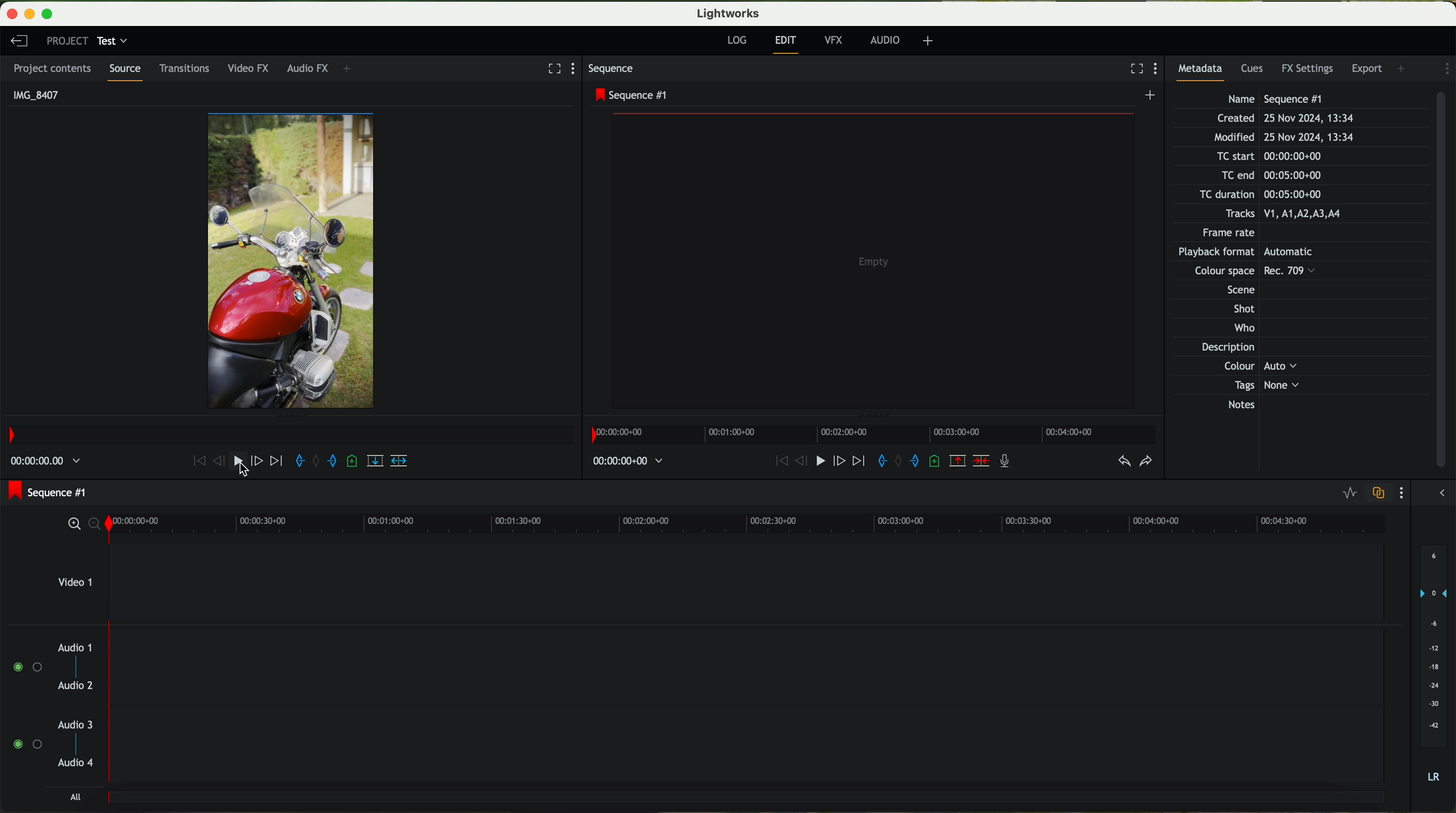 The width and height of the screenshot is (1456, 813). What do you see at coordinates (794, 464) in the screenshot?
I see `nudge one frame back` at bounding box center [794, 464].